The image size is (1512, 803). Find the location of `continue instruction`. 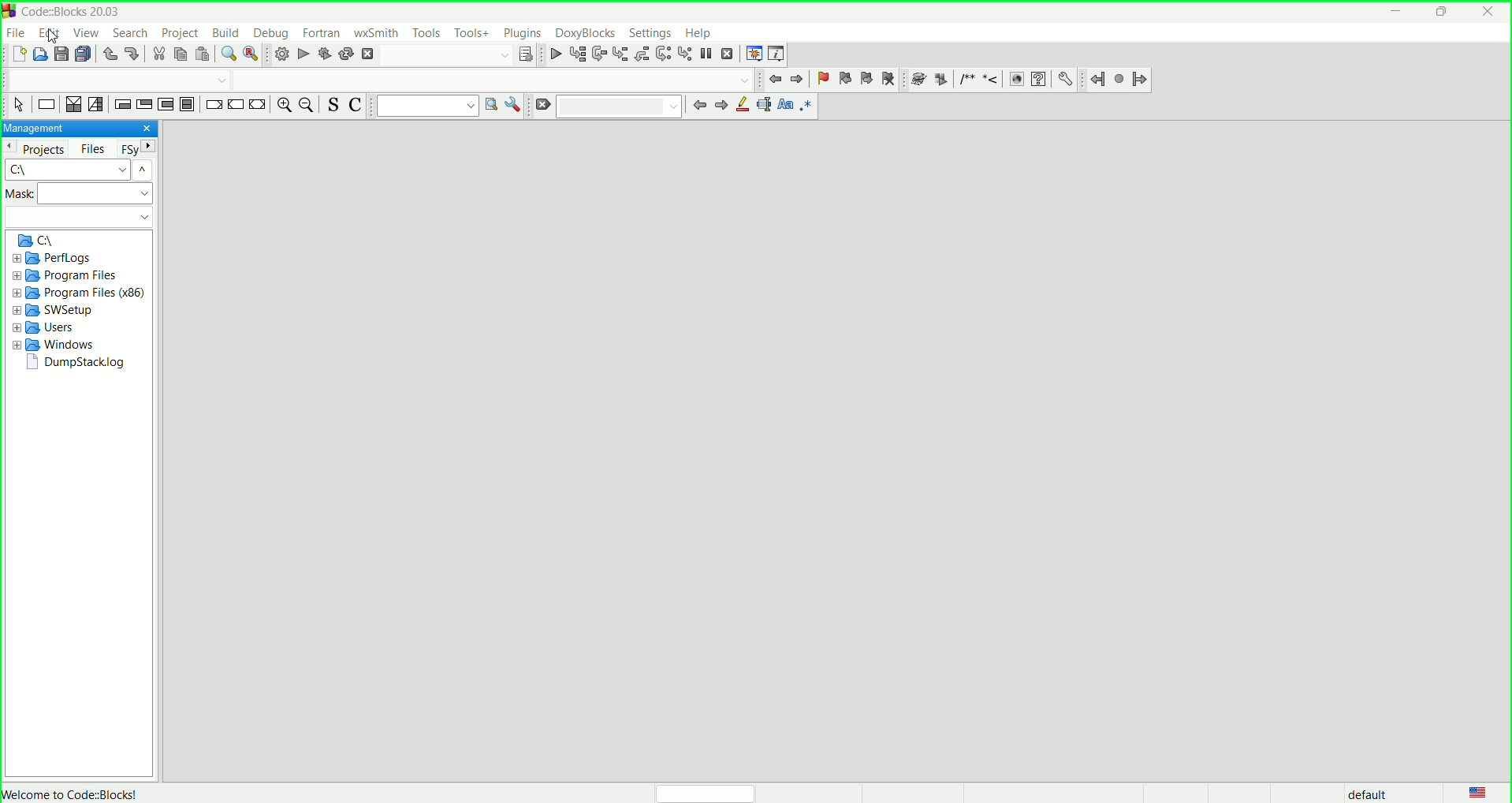

continue instruction is located at coordinates (236, 105).